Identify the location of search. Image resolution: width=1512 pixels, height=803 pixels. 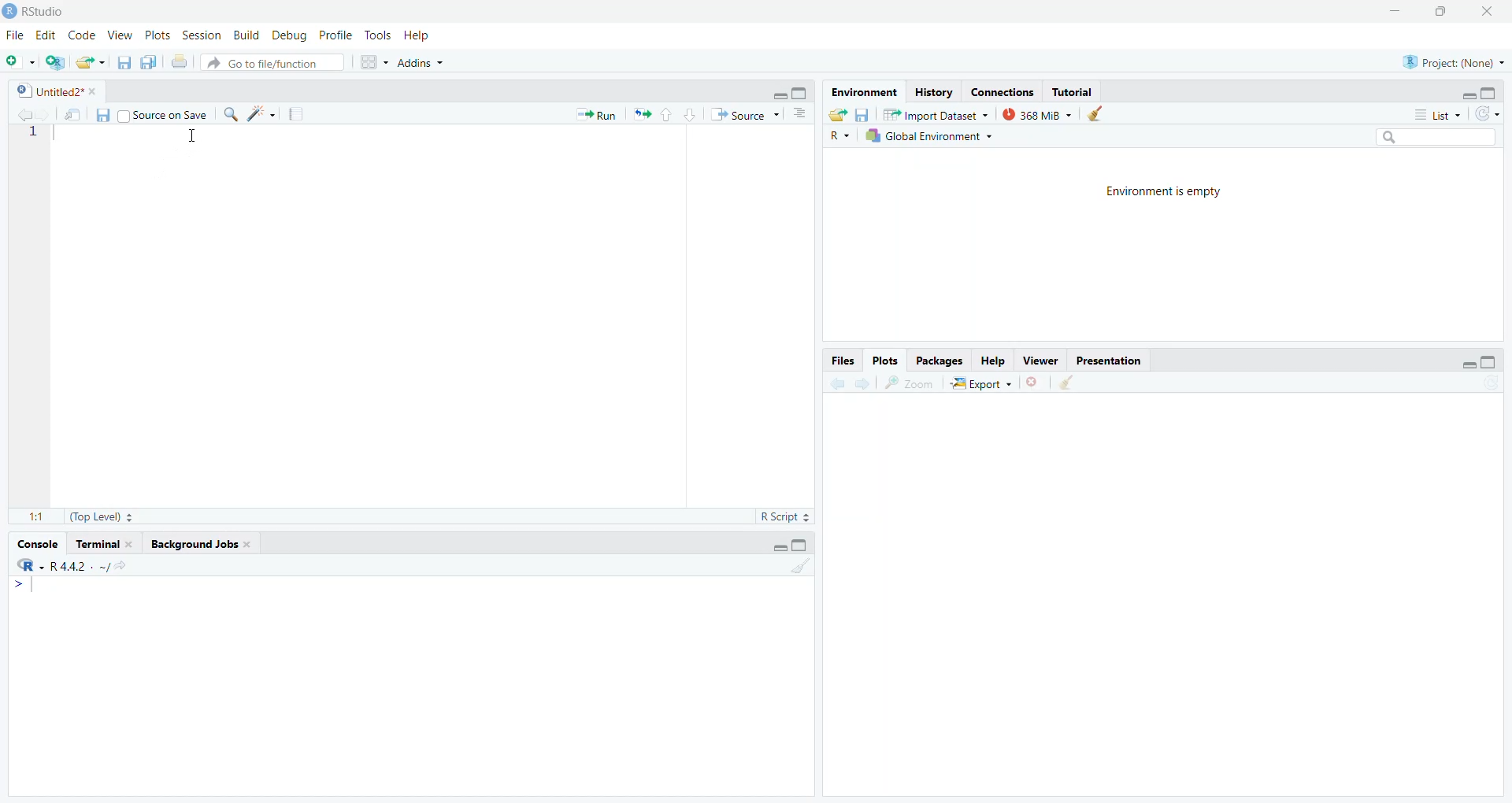
(1437, 139).